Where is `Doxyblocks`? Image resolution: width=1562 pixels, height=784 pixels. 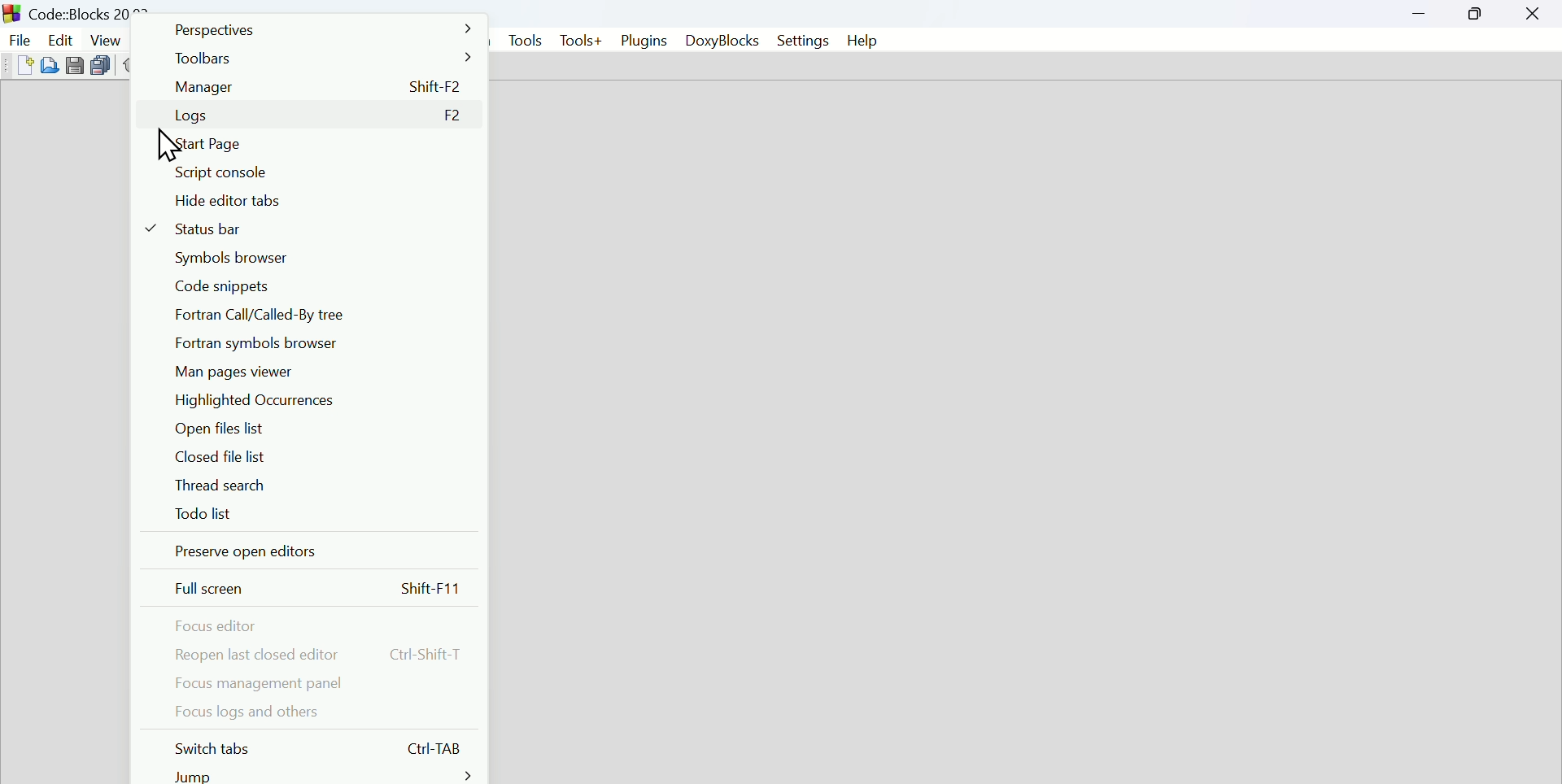
Doxyblocks is located at coordinates (720, 40).